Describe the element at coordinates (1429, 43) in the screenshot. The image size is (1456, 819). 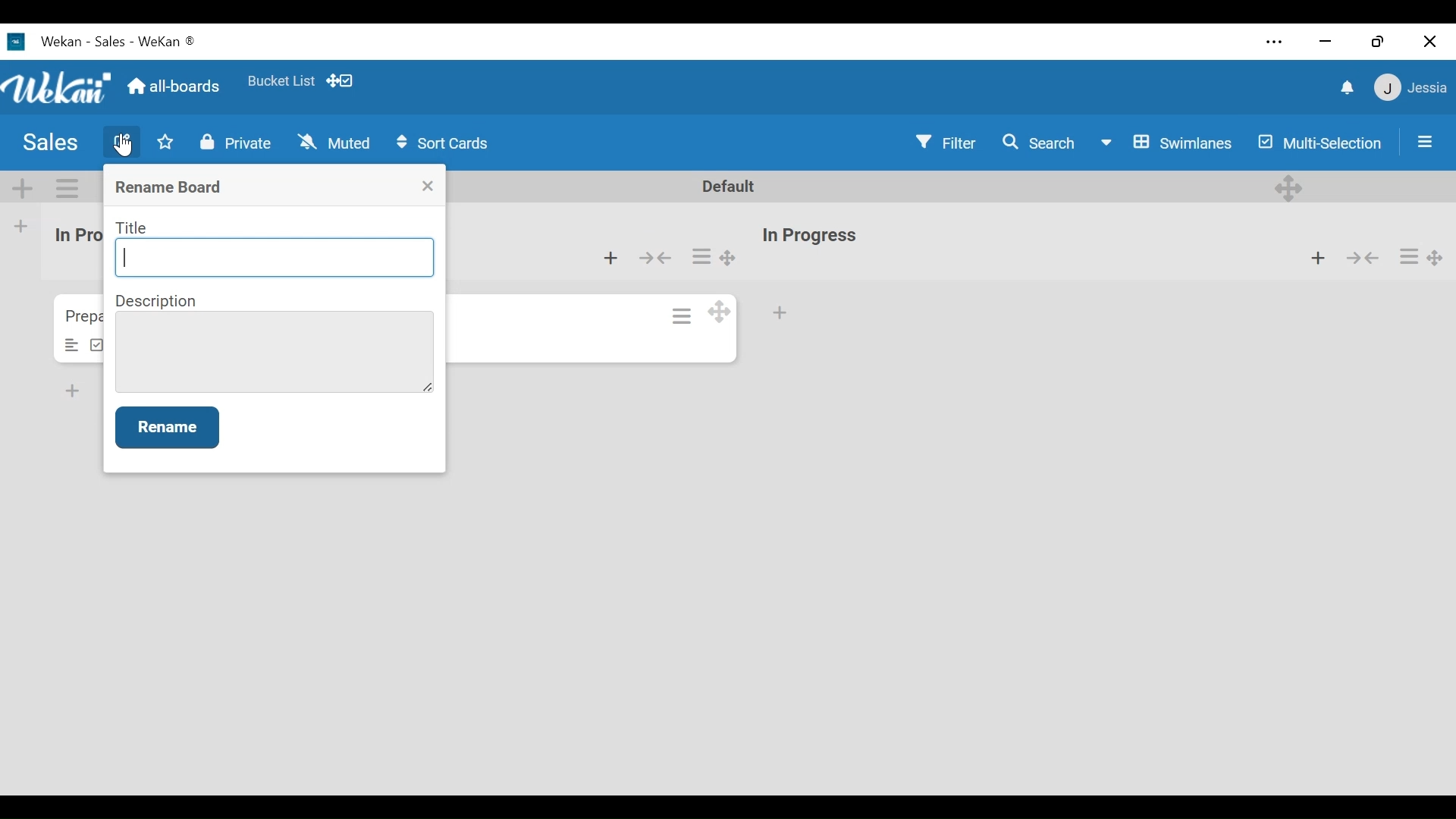
I see `Close` at that location.